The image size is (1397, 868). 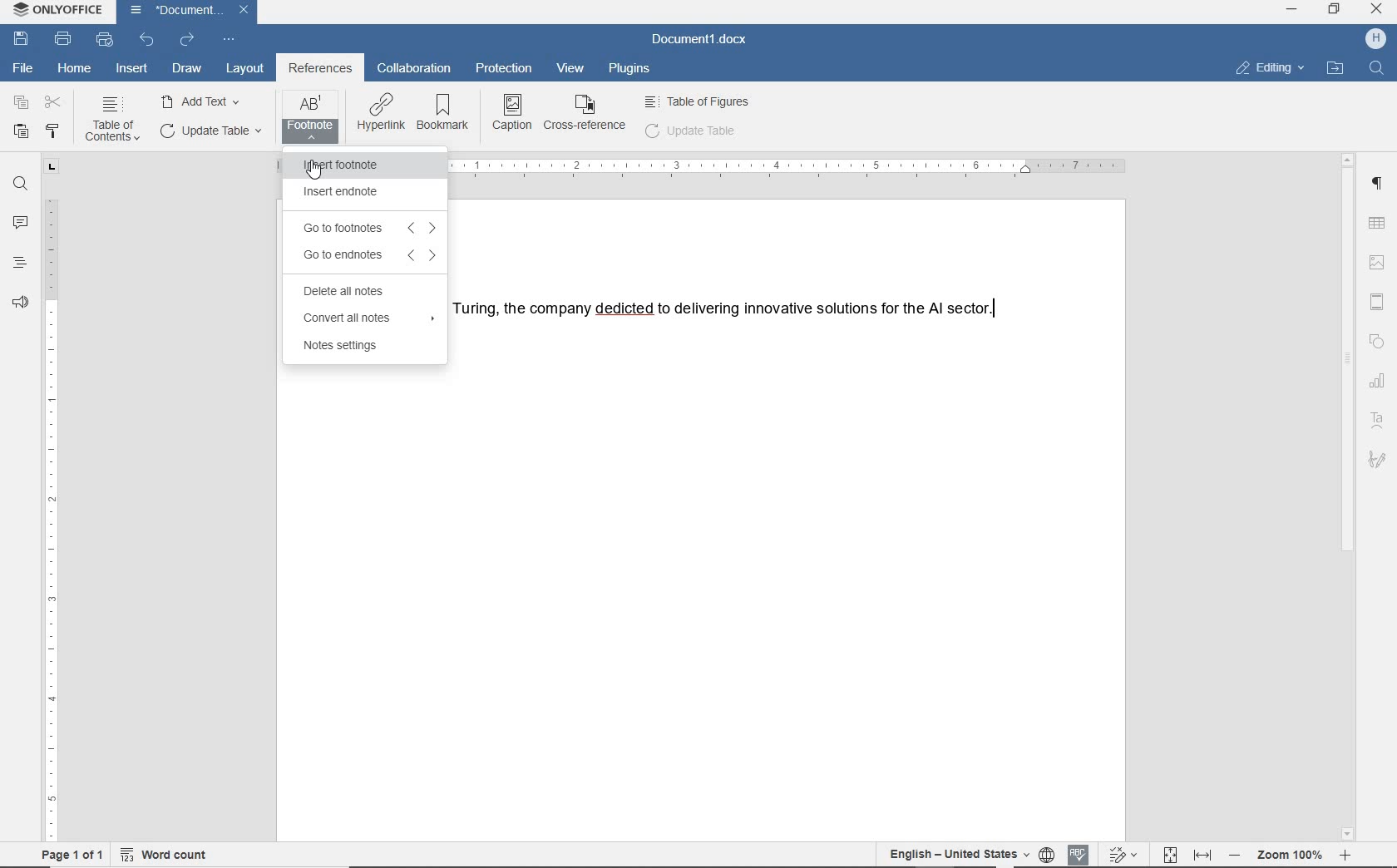 I want to click on CHART, so click(x=1380, y=380).